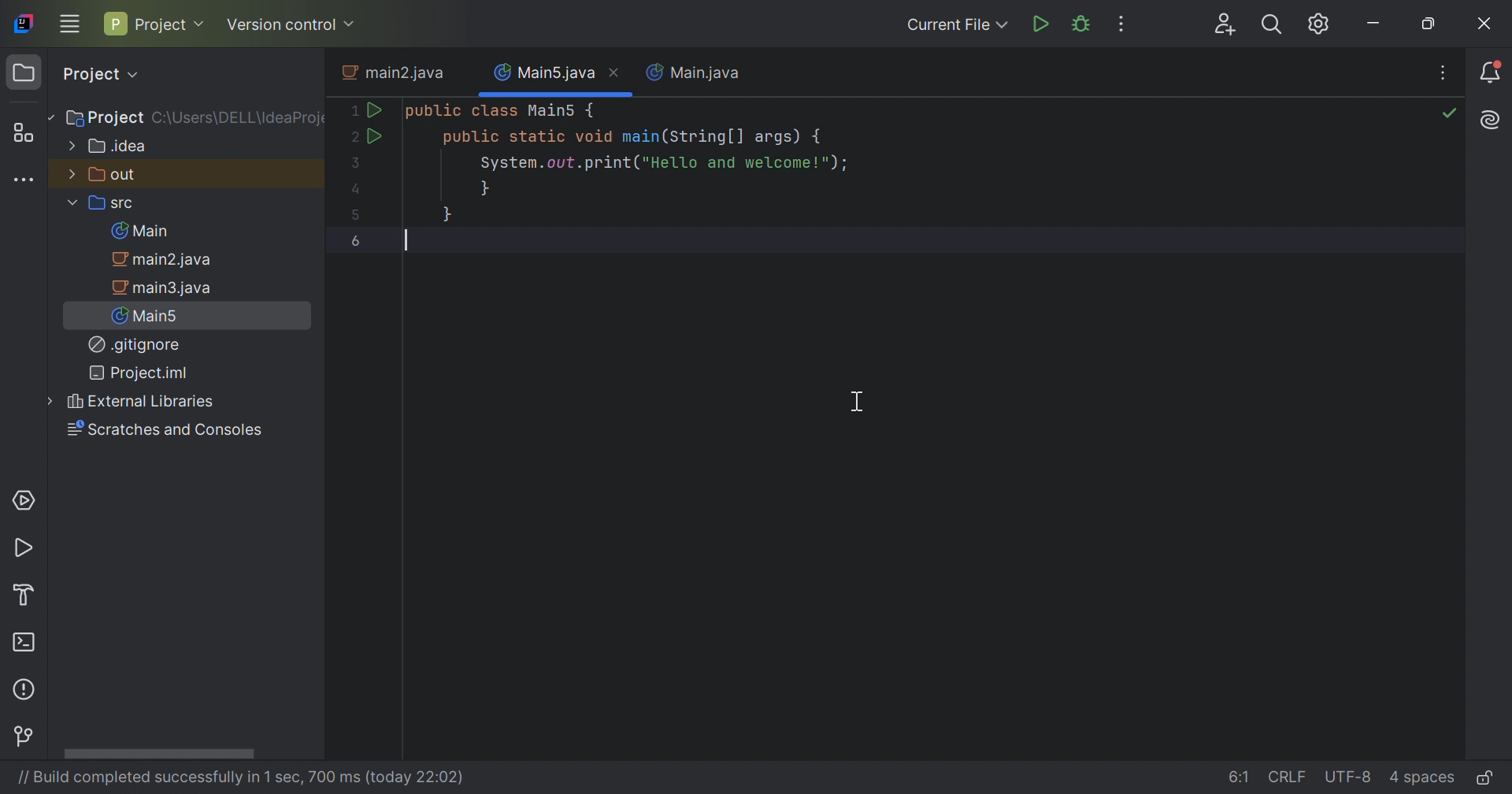 The width and height of the screenshot is (1512, 794). I want to click on Close, so click(1486, 26).